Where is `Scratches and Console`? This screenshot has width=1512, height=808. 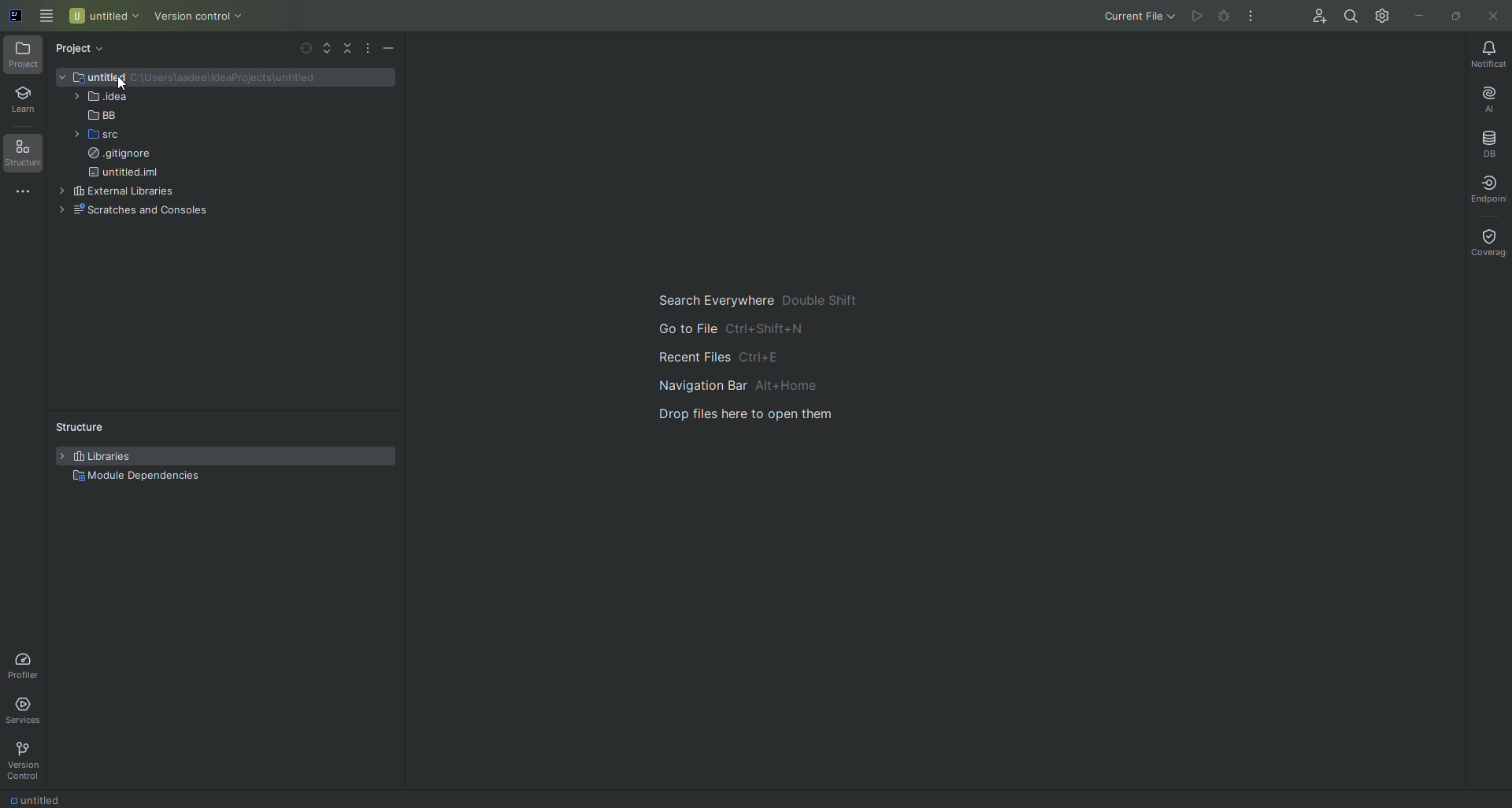 Scratches and Console is located at coordinates (141, 211).